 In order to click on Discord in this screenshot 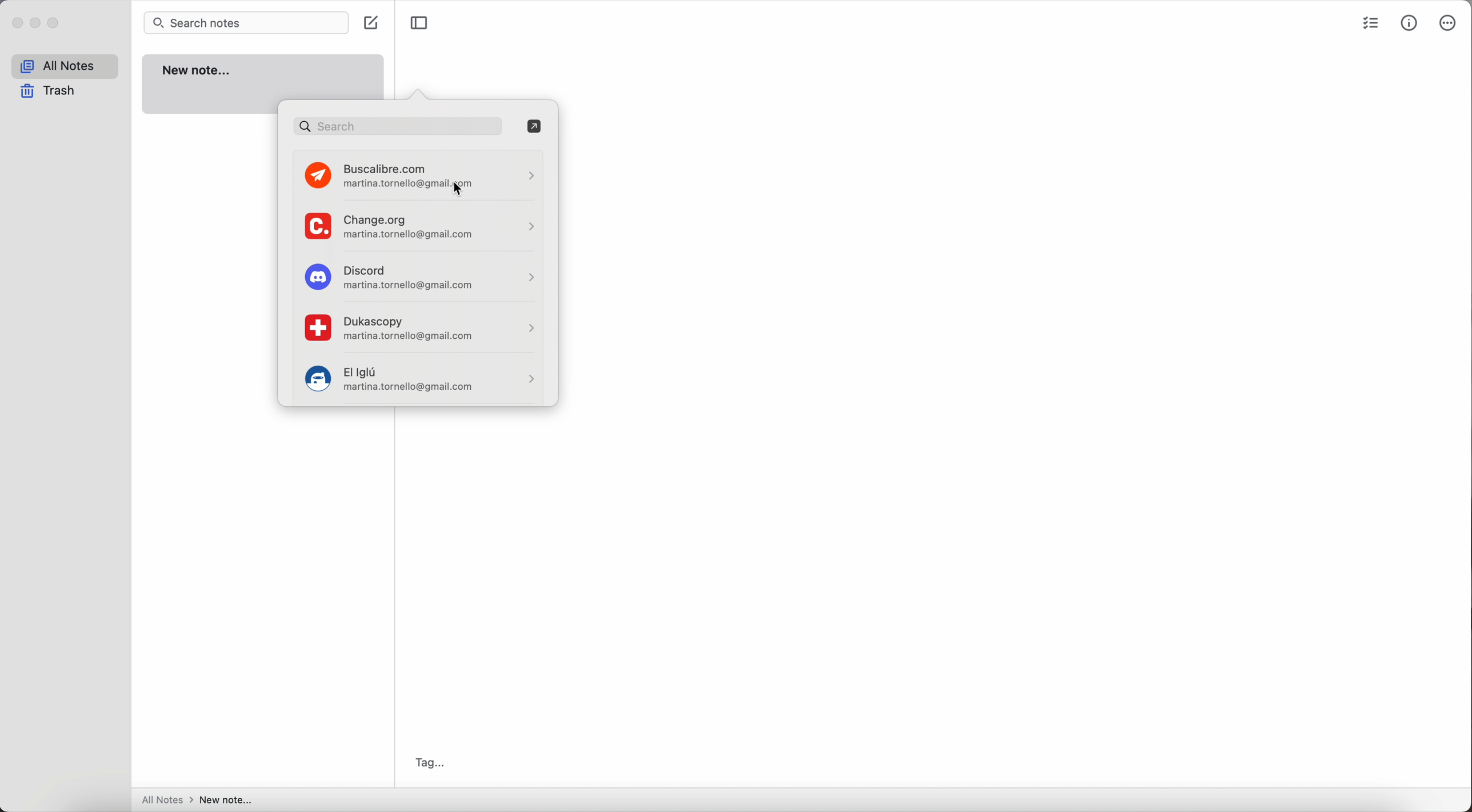, I will do `click(418, 276)`.